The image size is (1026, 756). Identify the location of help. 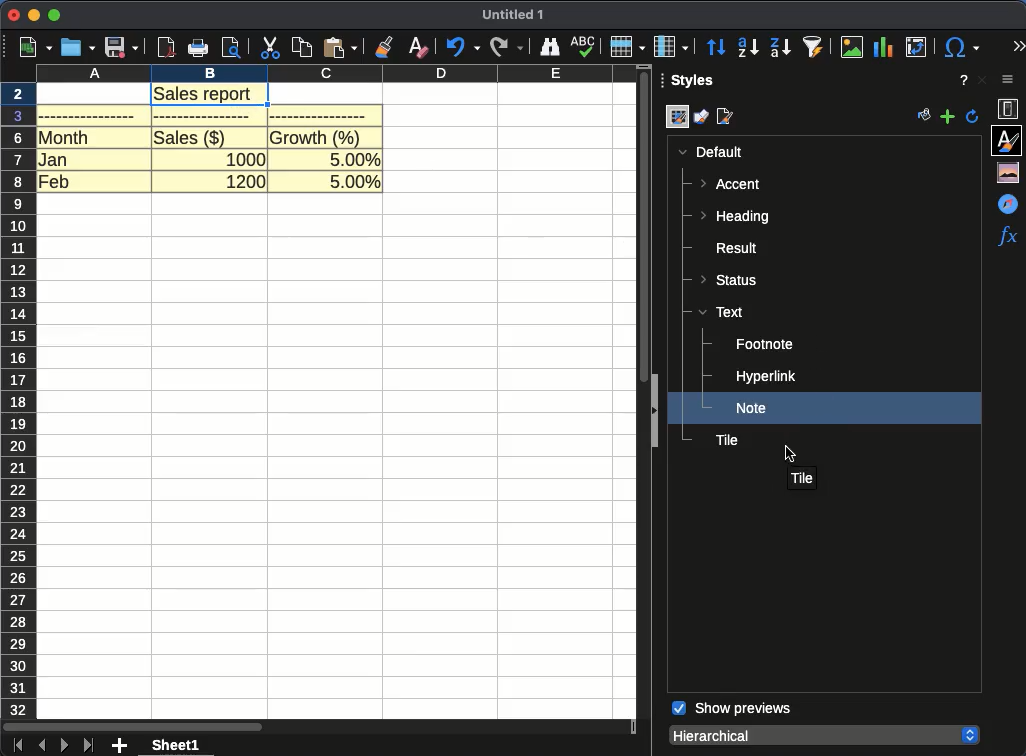
(964, 80).